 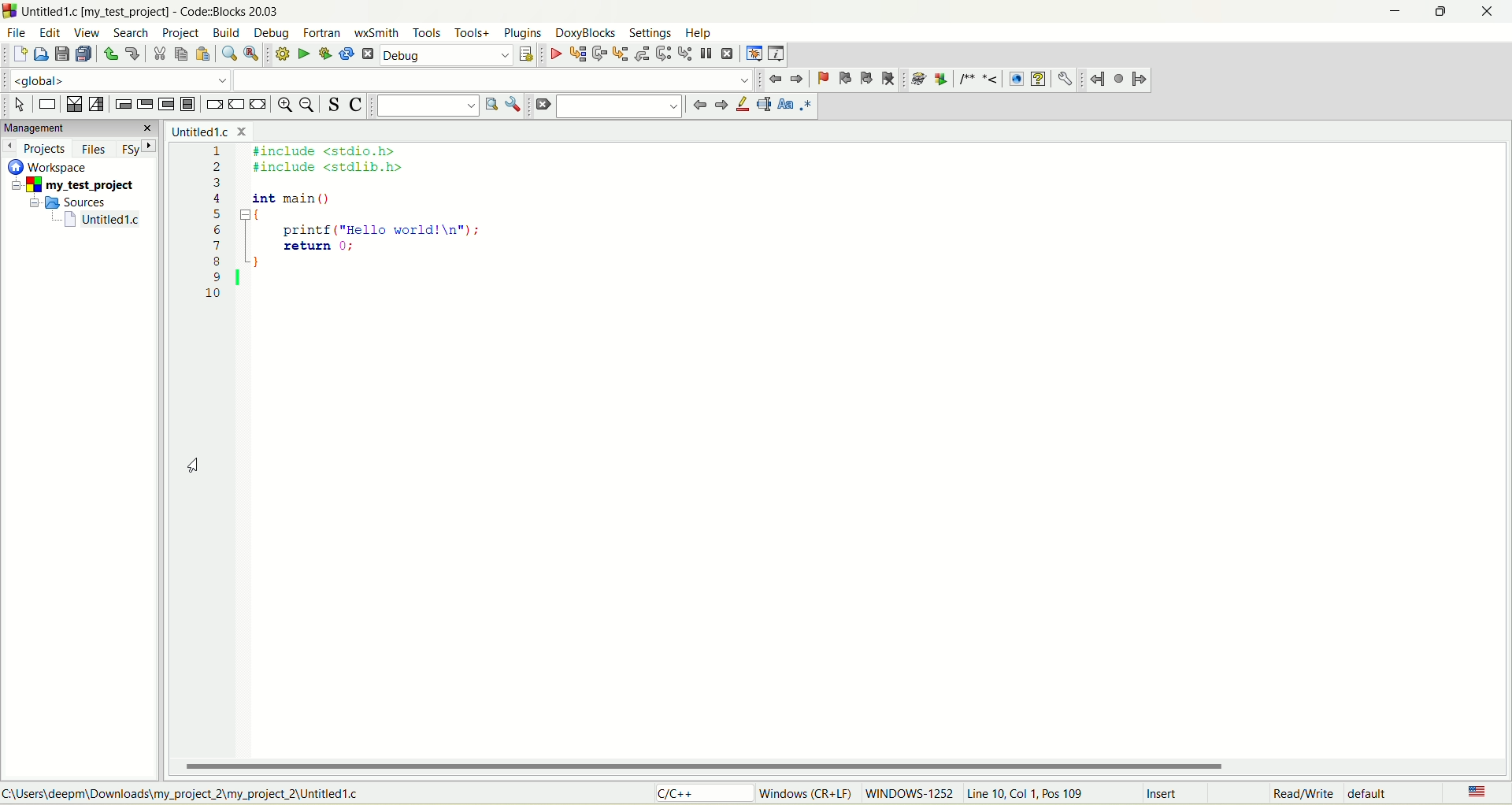 I want to click on break debugger, so click(x=708, y=53).